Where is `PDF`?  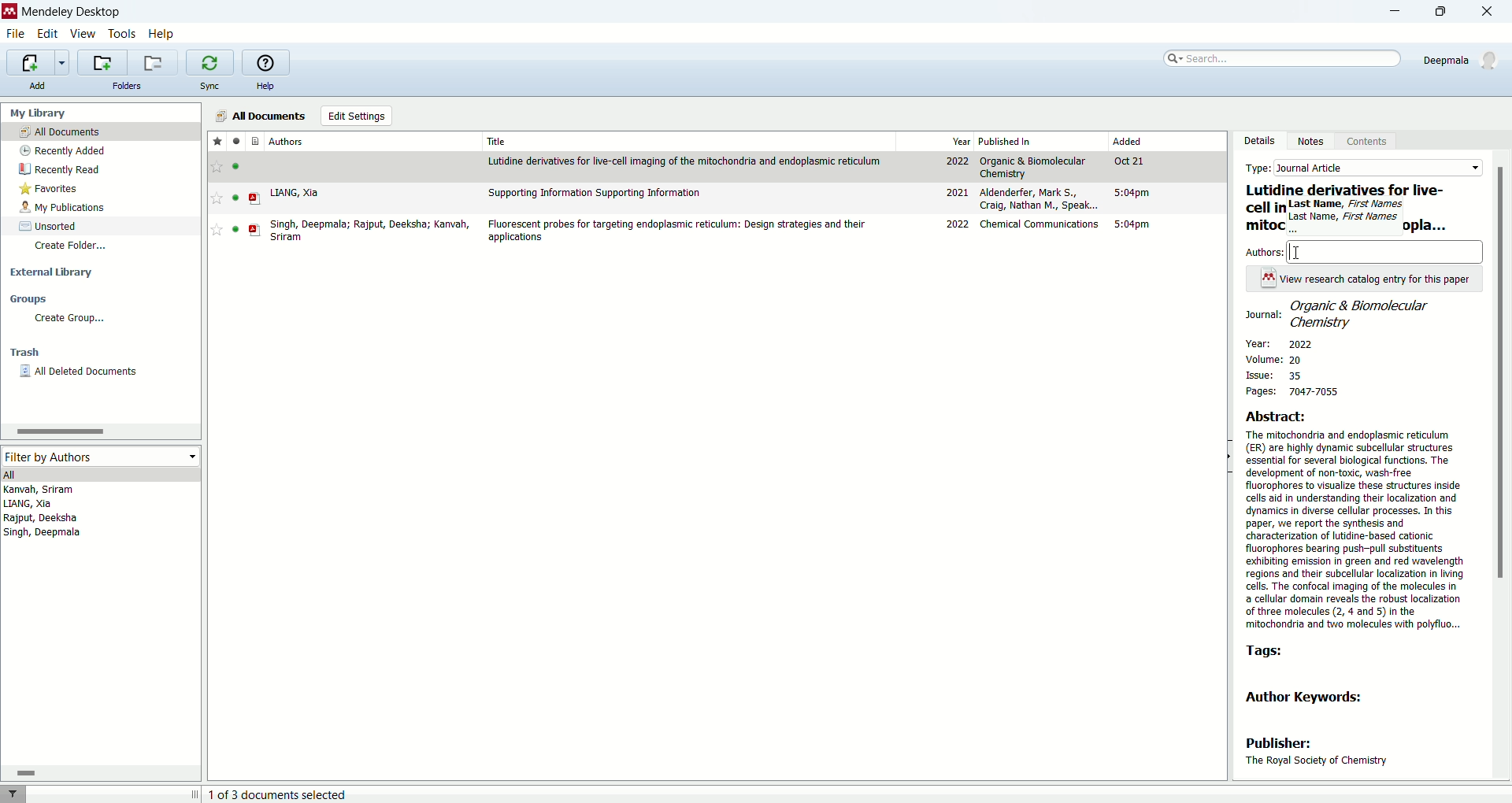 PDF is located at coordinates (256, 231).